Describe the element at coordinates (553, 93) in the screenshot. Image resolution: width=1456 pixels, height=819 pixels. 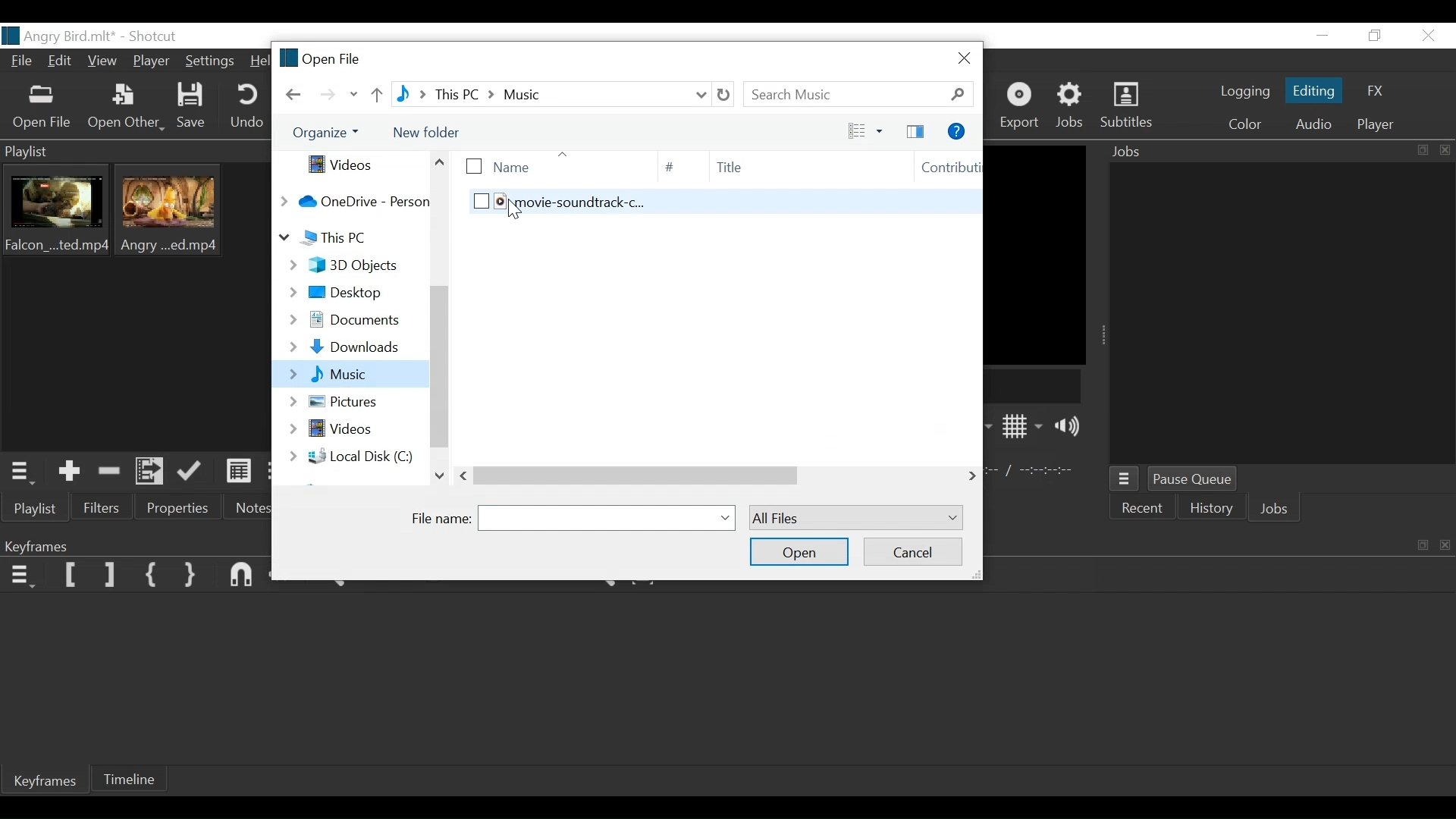
I see `File Path` at that location.